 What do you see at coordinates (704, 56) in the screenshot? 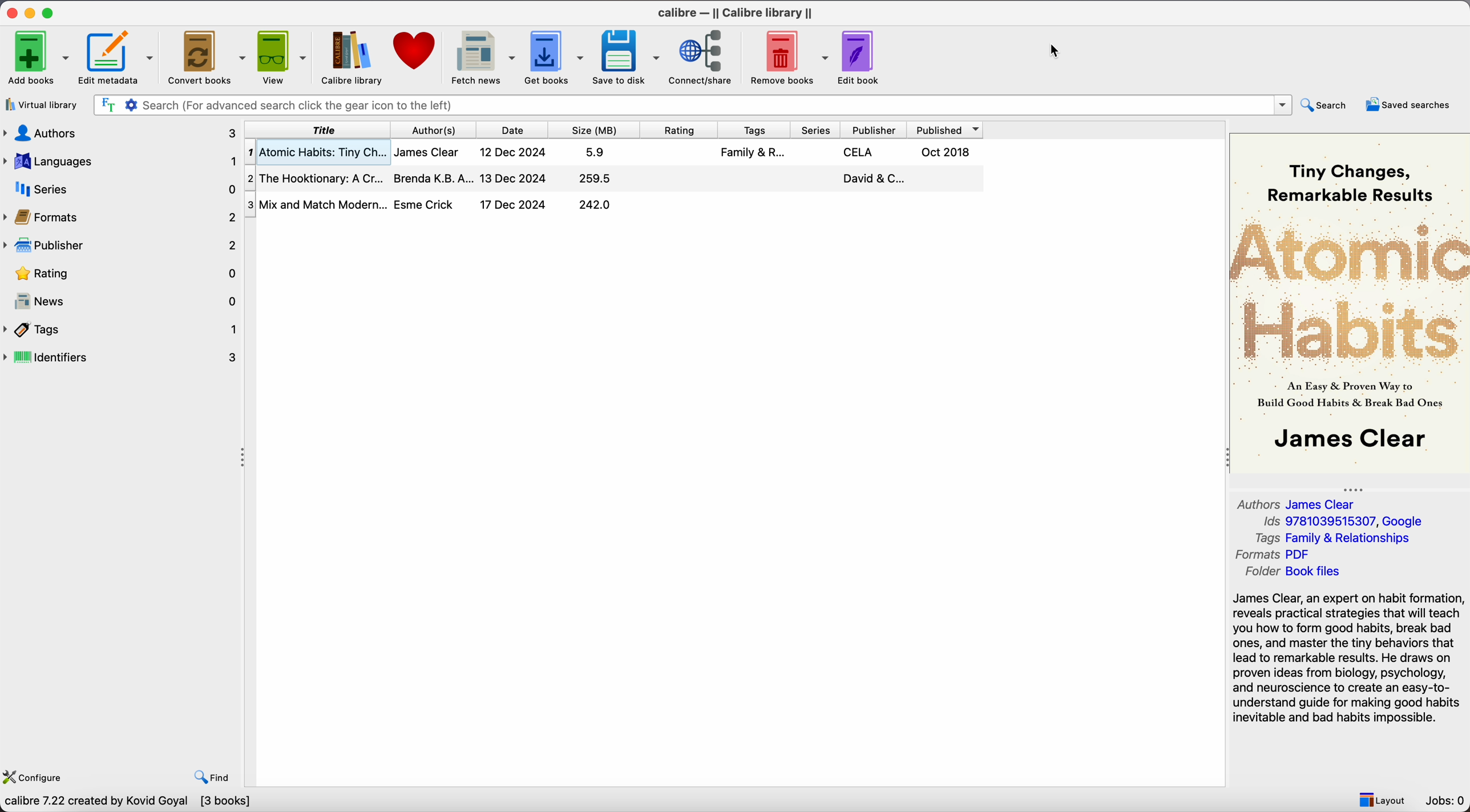
I see `connect/share` at bounding box center [704, 56].